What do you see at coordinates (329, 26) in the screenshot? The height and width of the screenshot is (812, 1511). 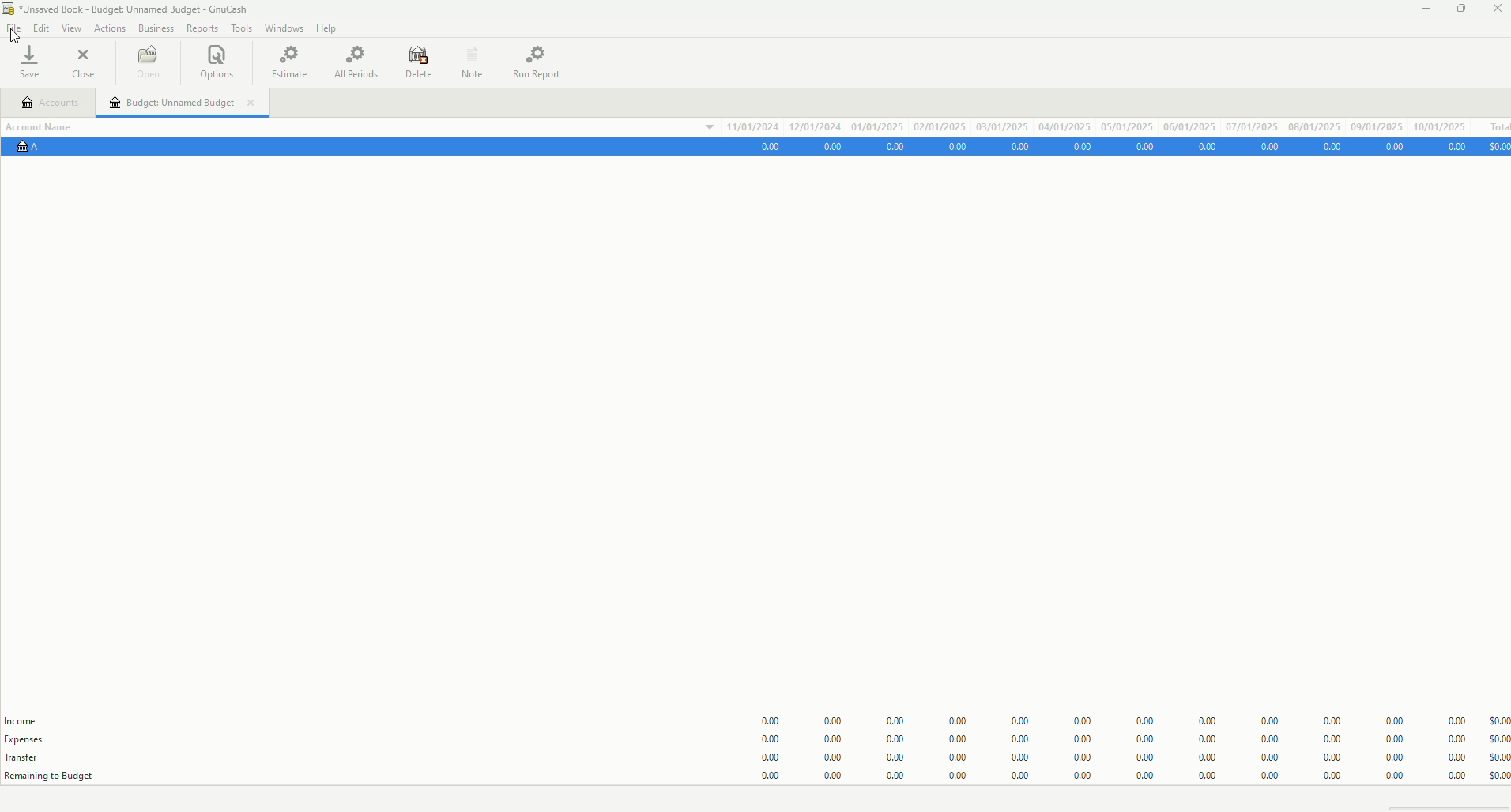 I see `Help` at bounding box center [329, 26].